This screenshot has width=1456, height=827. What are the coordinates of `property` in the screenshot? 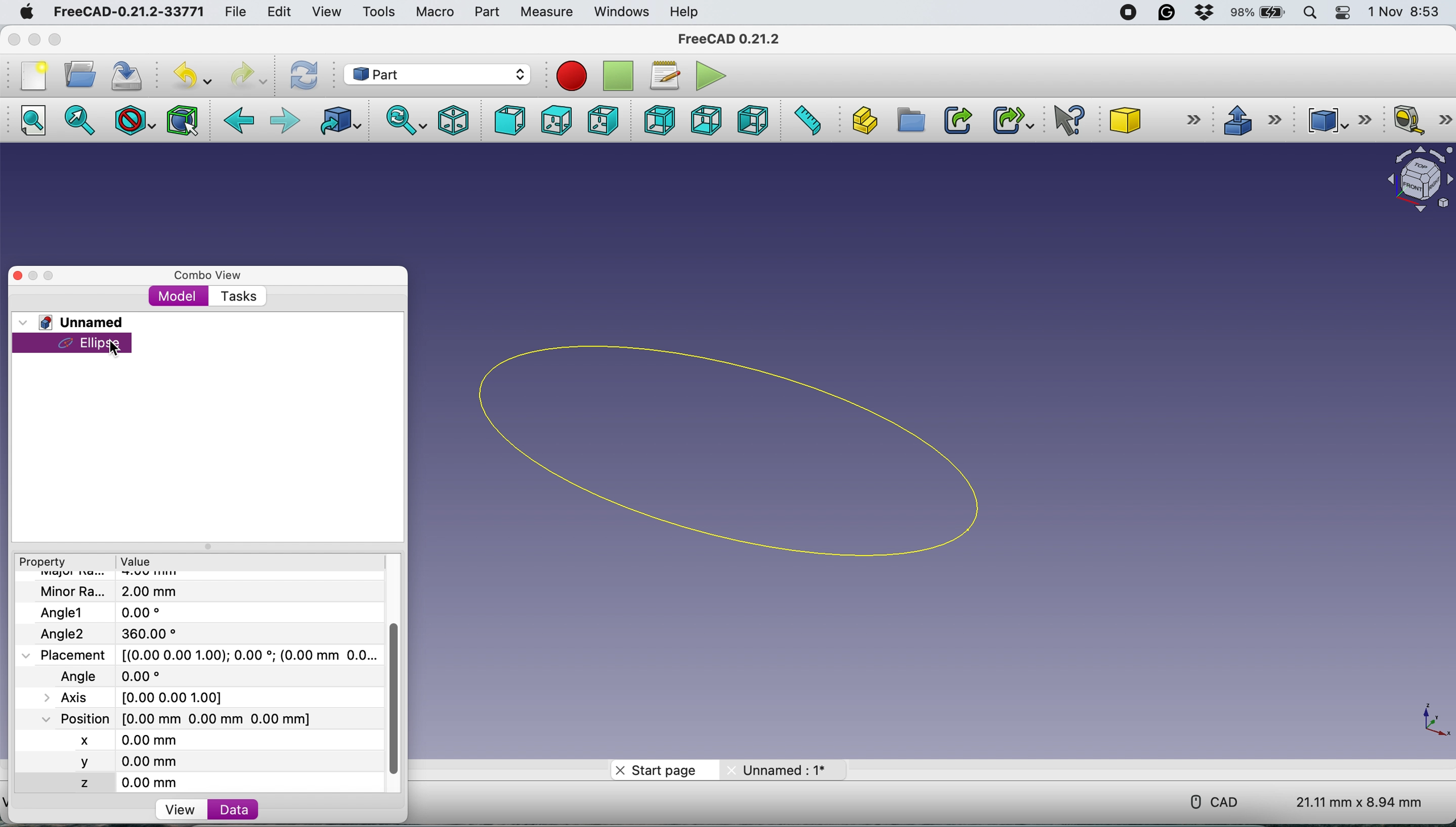 It's located at (45, 563).